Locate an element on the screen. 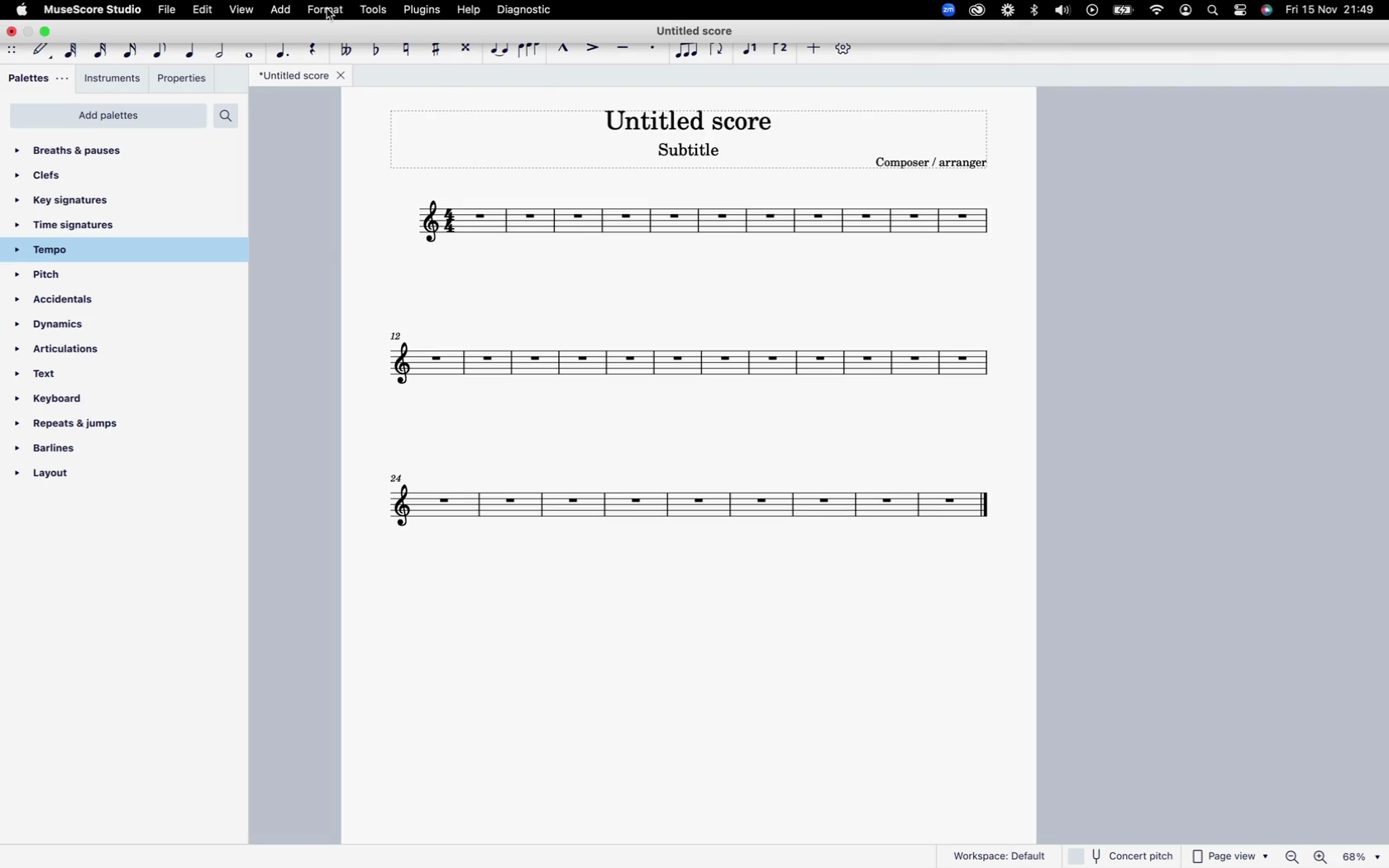 The height and width of the screenshot is (868, 1389). siri is located at coordinates (1267, 12).